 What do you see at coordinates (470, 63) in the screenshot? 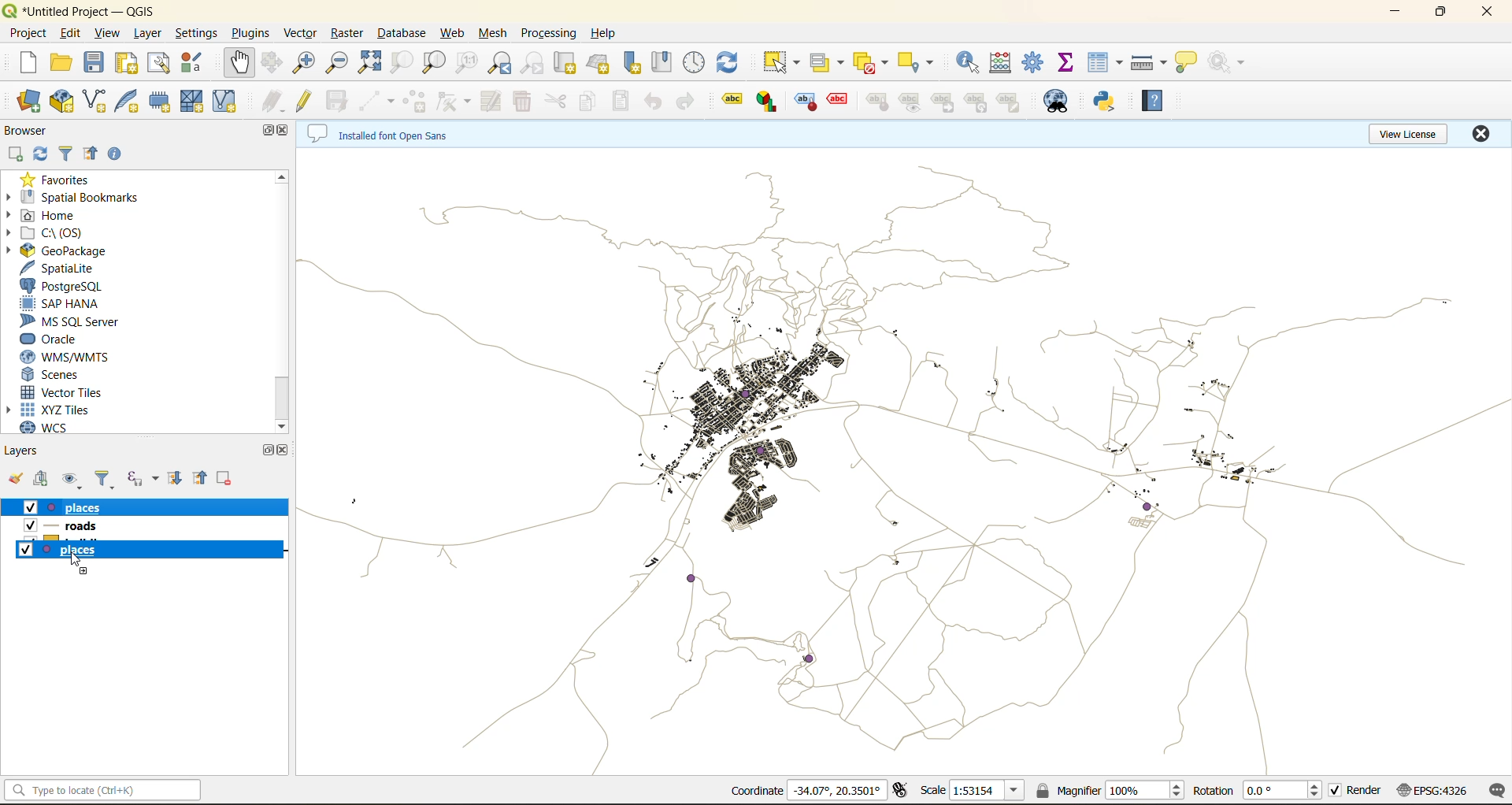
I see `zoom native` at bounding box center [470, 63].